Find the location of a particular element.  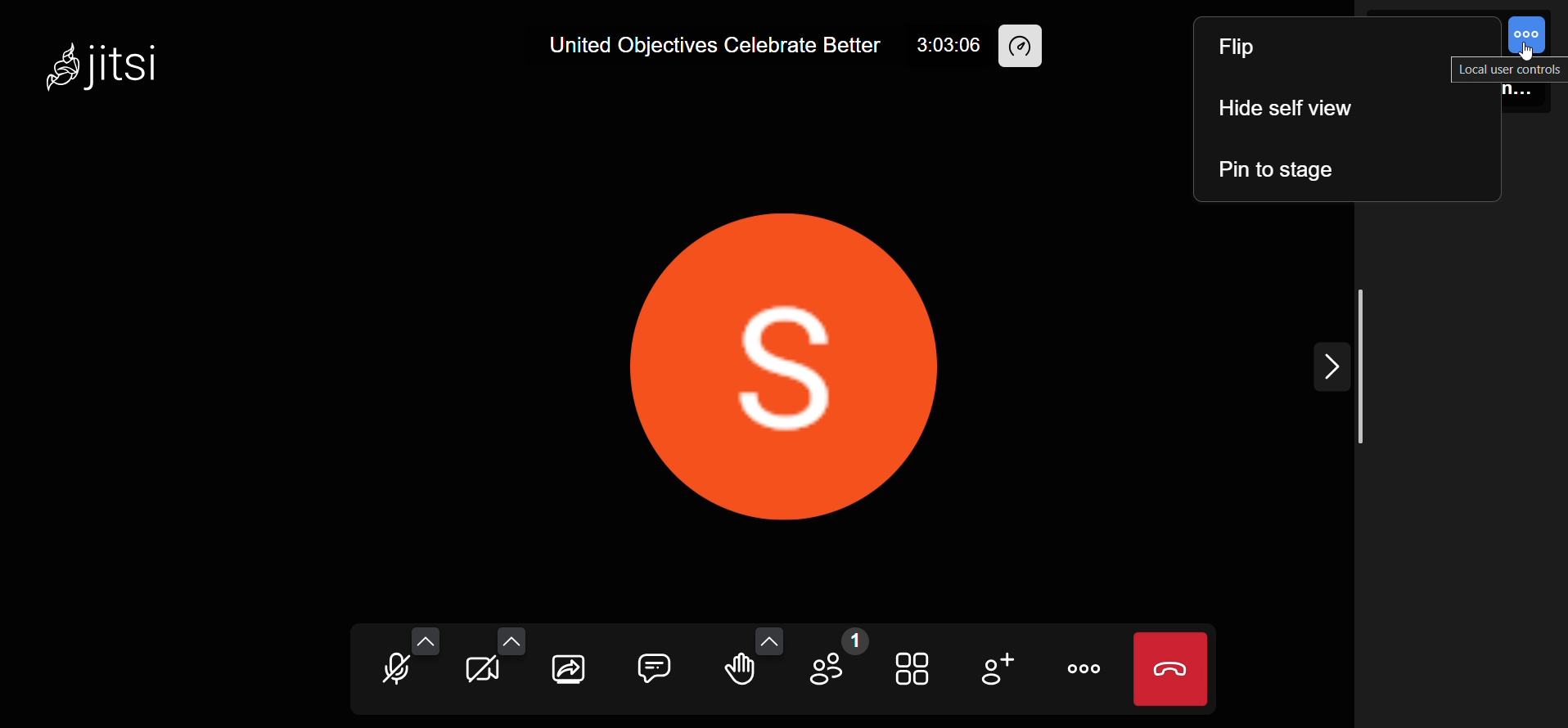

microphone is located at coordinates (394, 672).